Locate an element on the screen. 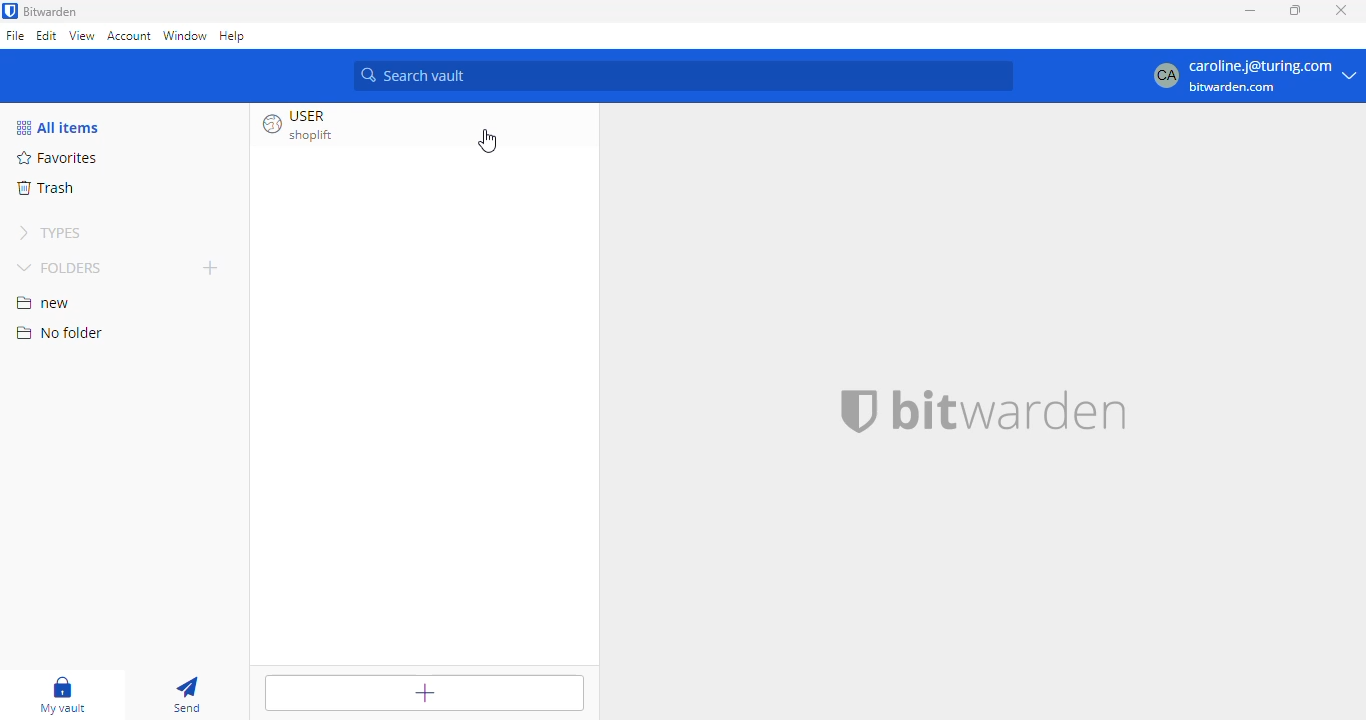  minimize is located at coordinates (1251, 11).